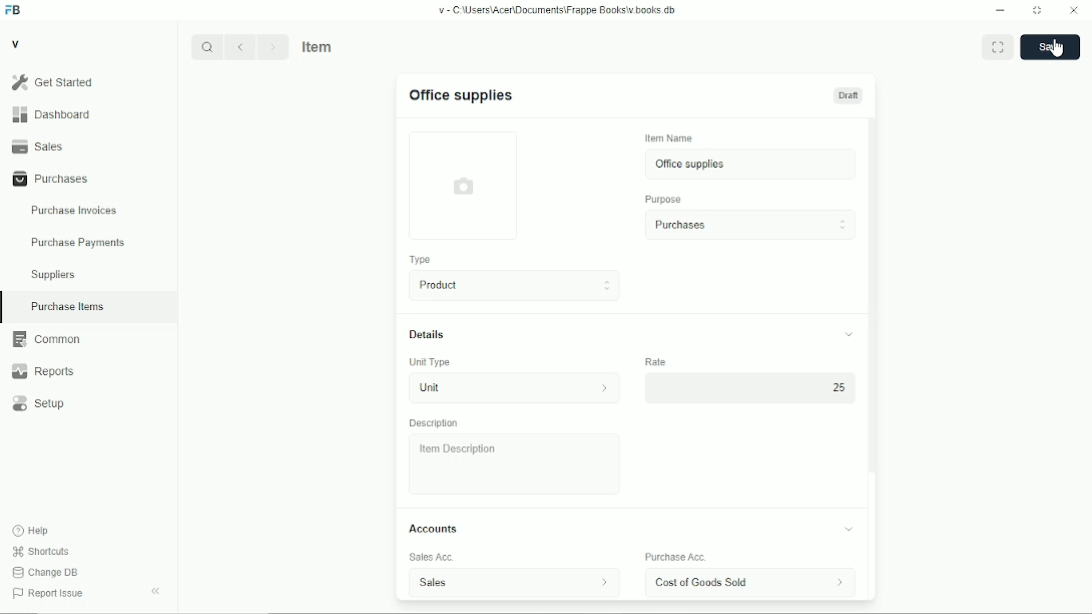 This screenshot has width=1092, height=614. Describe the element at coordinates (207, 47) in the screenshot. I see `Search` at that location.